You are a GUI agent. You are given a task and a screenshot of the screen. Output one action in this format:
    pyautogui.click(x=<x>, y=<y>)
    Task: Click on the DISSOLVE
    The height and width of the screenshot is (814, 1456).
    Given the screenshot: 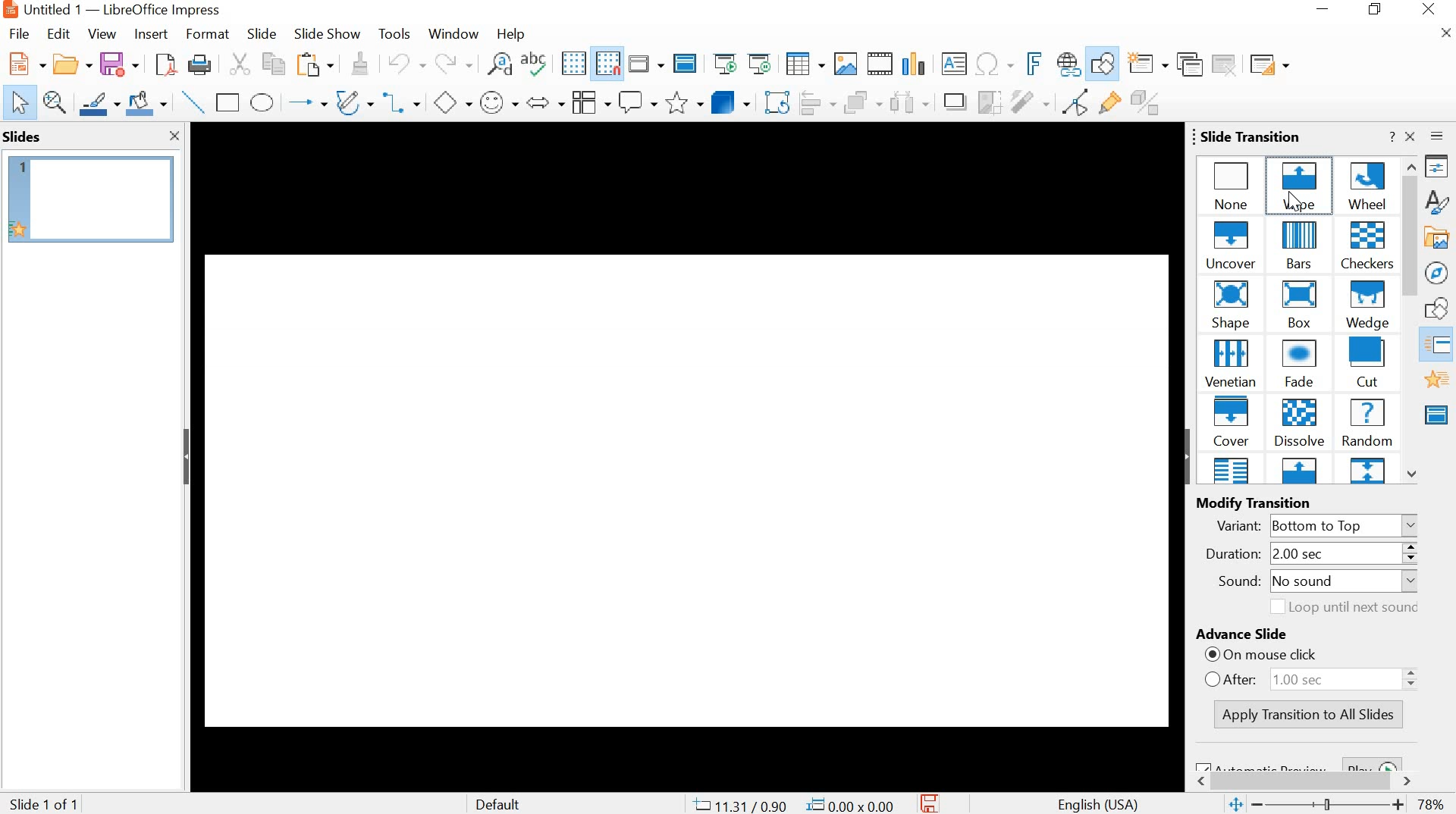 What is the action you would take?
    pyautogui.click(x=1300, y=424)
    